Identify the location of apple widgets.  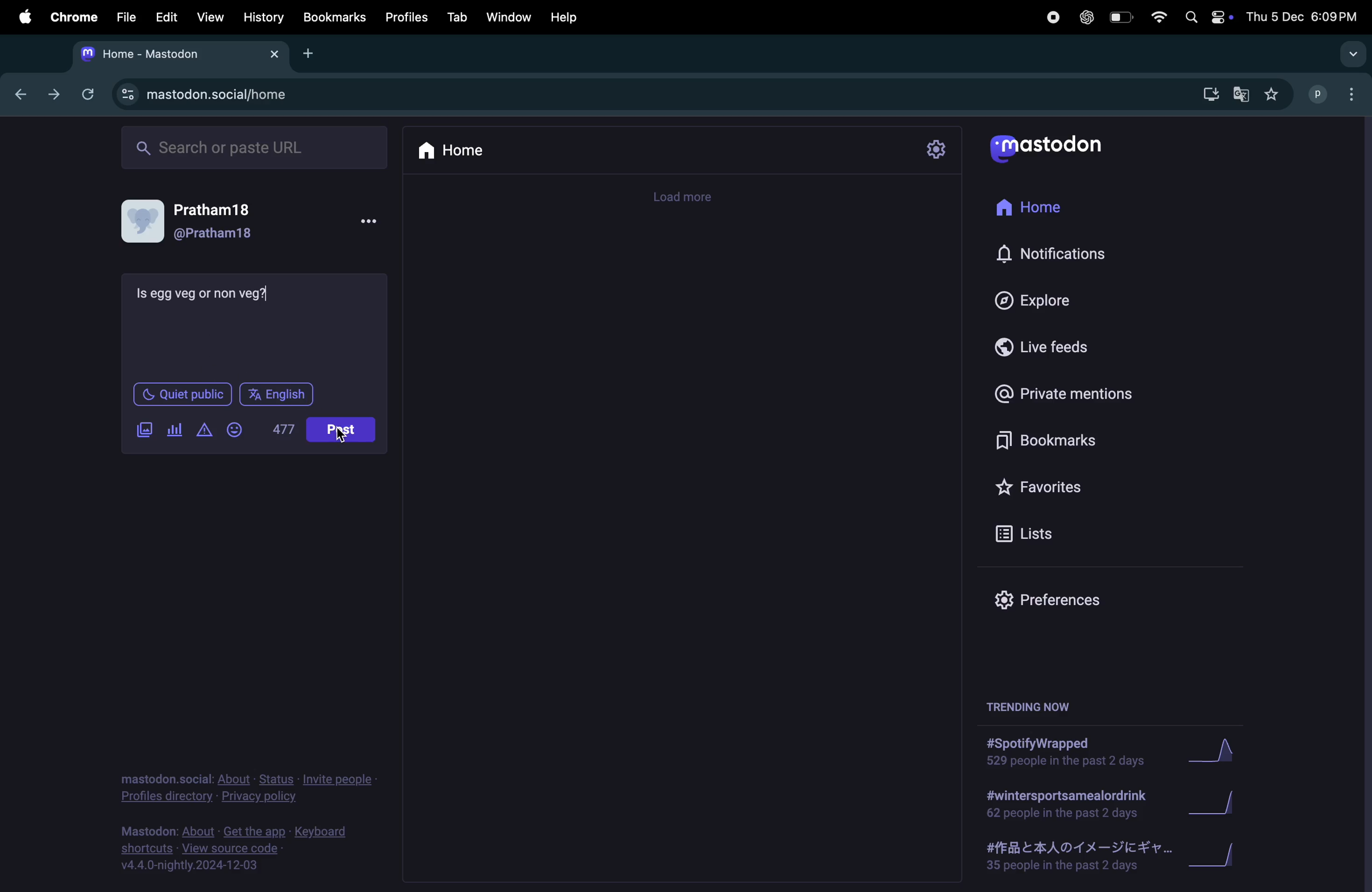
(1207, 17).